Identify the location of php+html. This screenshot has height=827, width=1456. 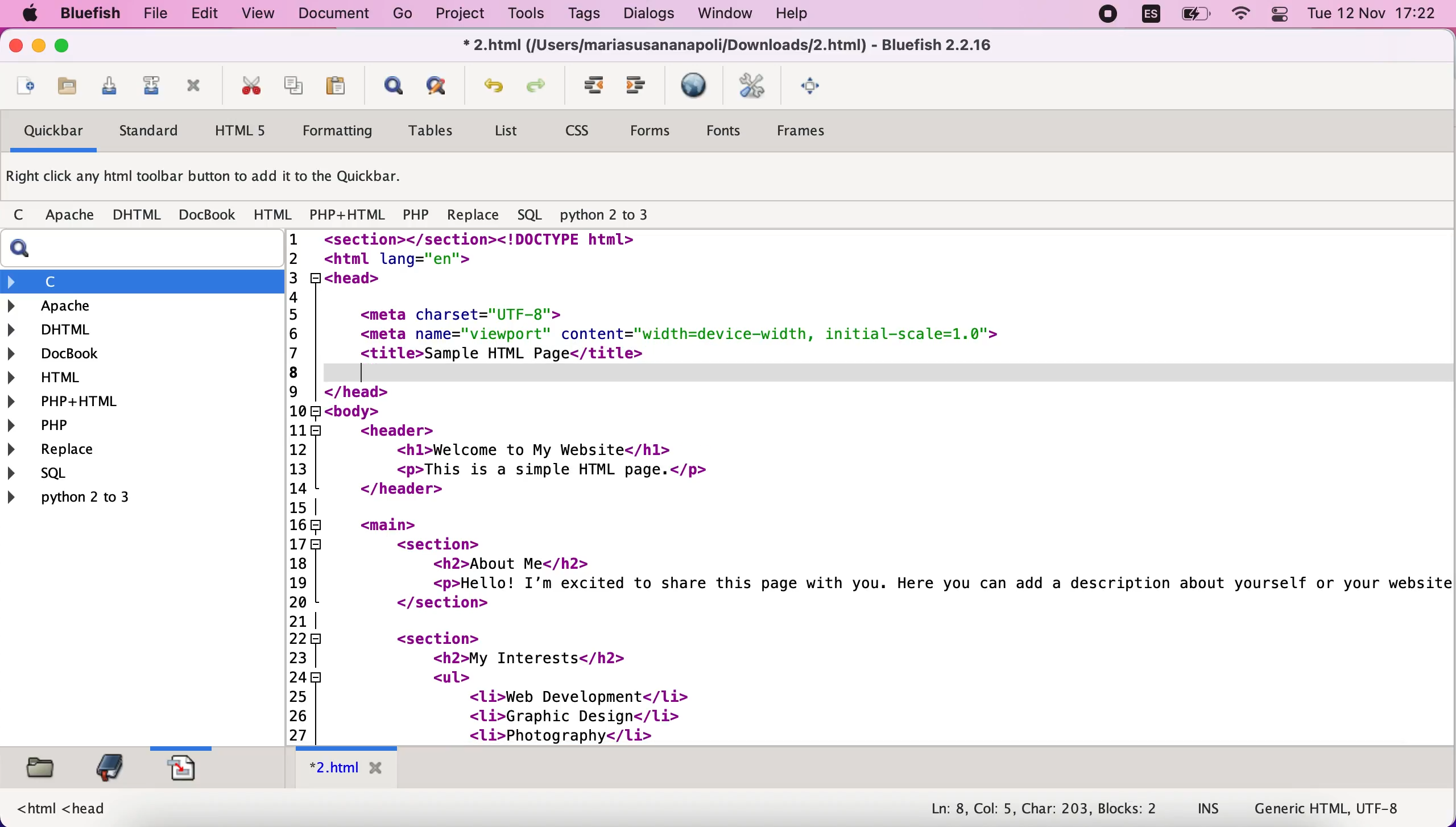
(349, 214).